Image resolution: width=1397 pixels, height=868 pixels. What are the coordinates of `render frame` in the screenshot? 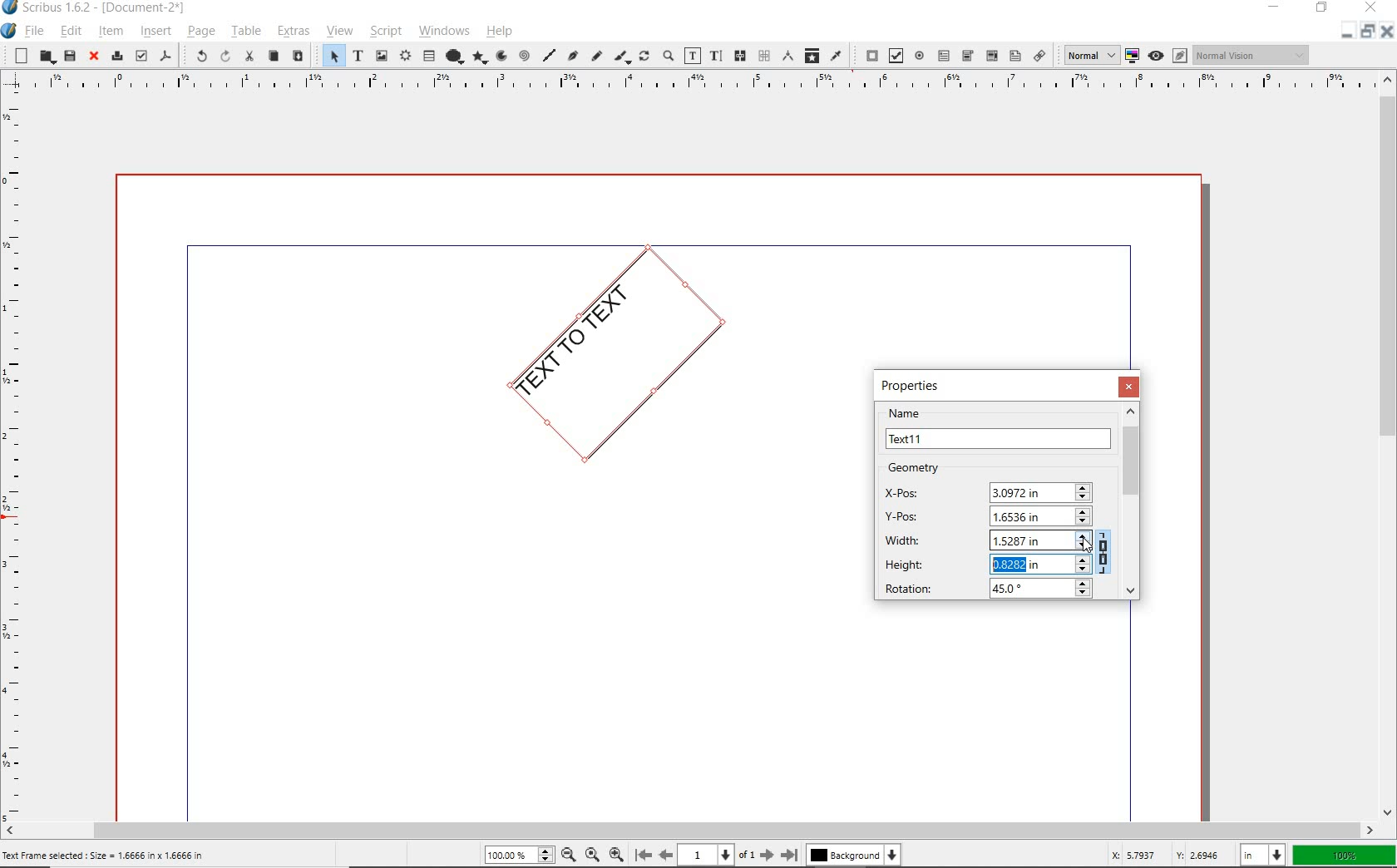 It's located at (405, 57).